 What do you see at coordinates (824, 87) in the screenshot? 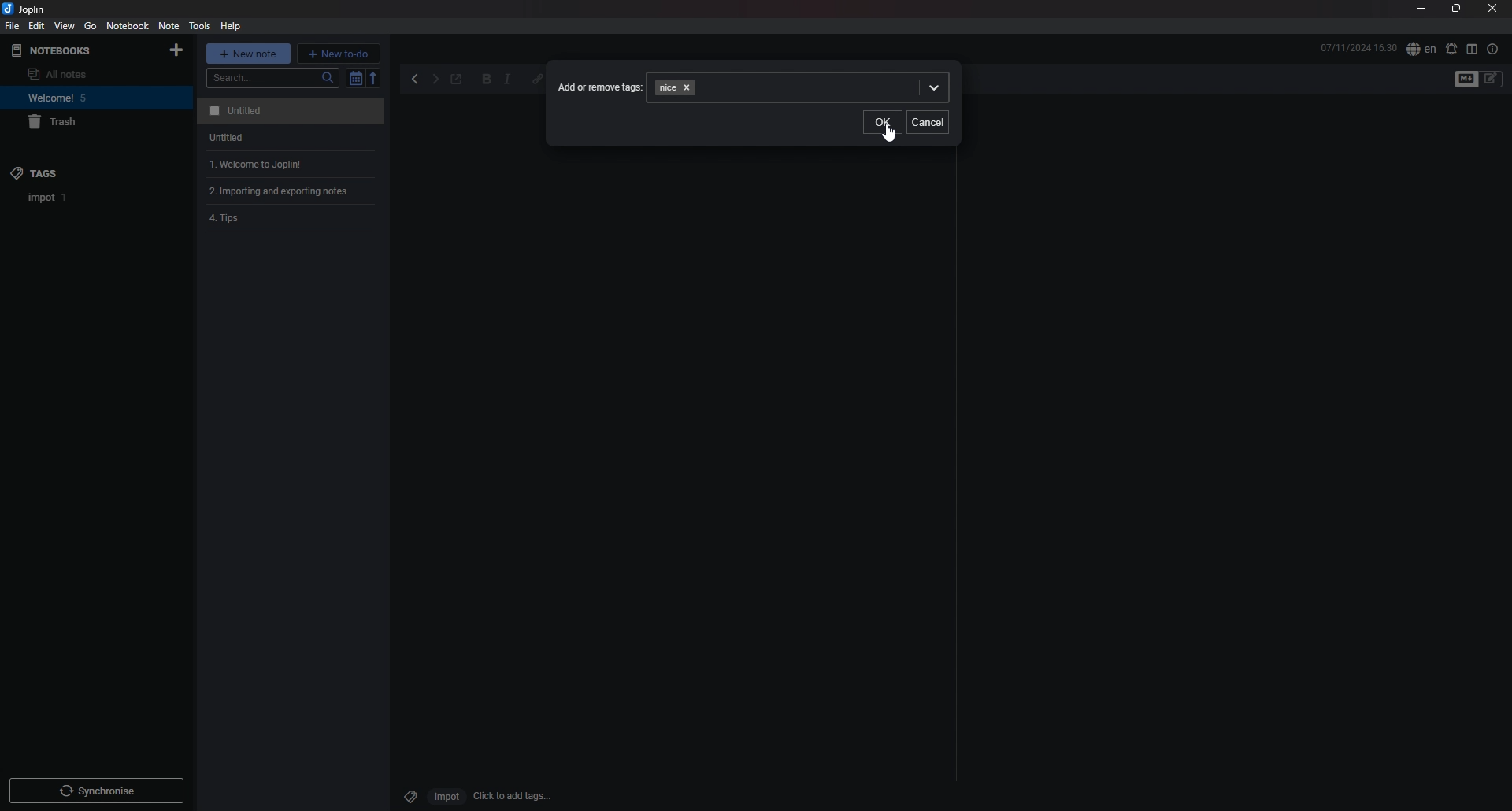
I see `input box` at bounding box center [824, 87].